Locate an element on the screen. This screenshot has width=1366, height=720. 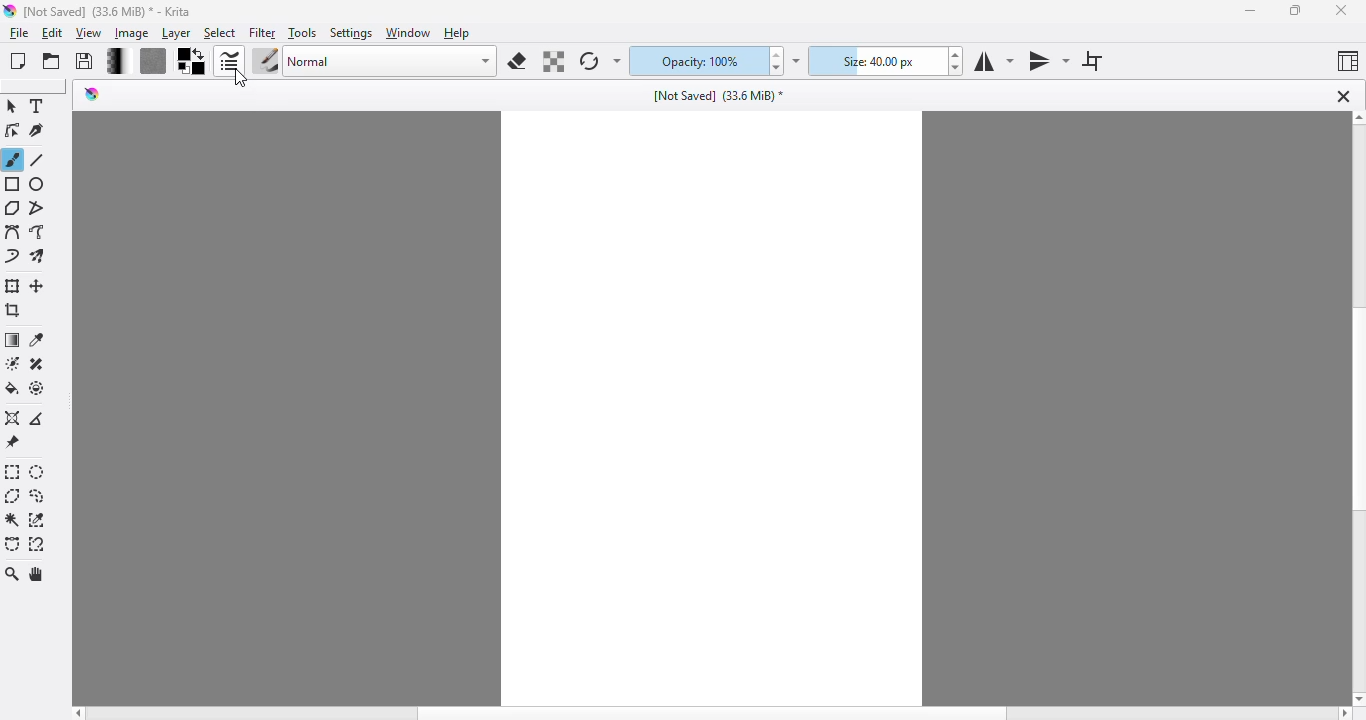
maximize is located at coordinates (1298, 10).